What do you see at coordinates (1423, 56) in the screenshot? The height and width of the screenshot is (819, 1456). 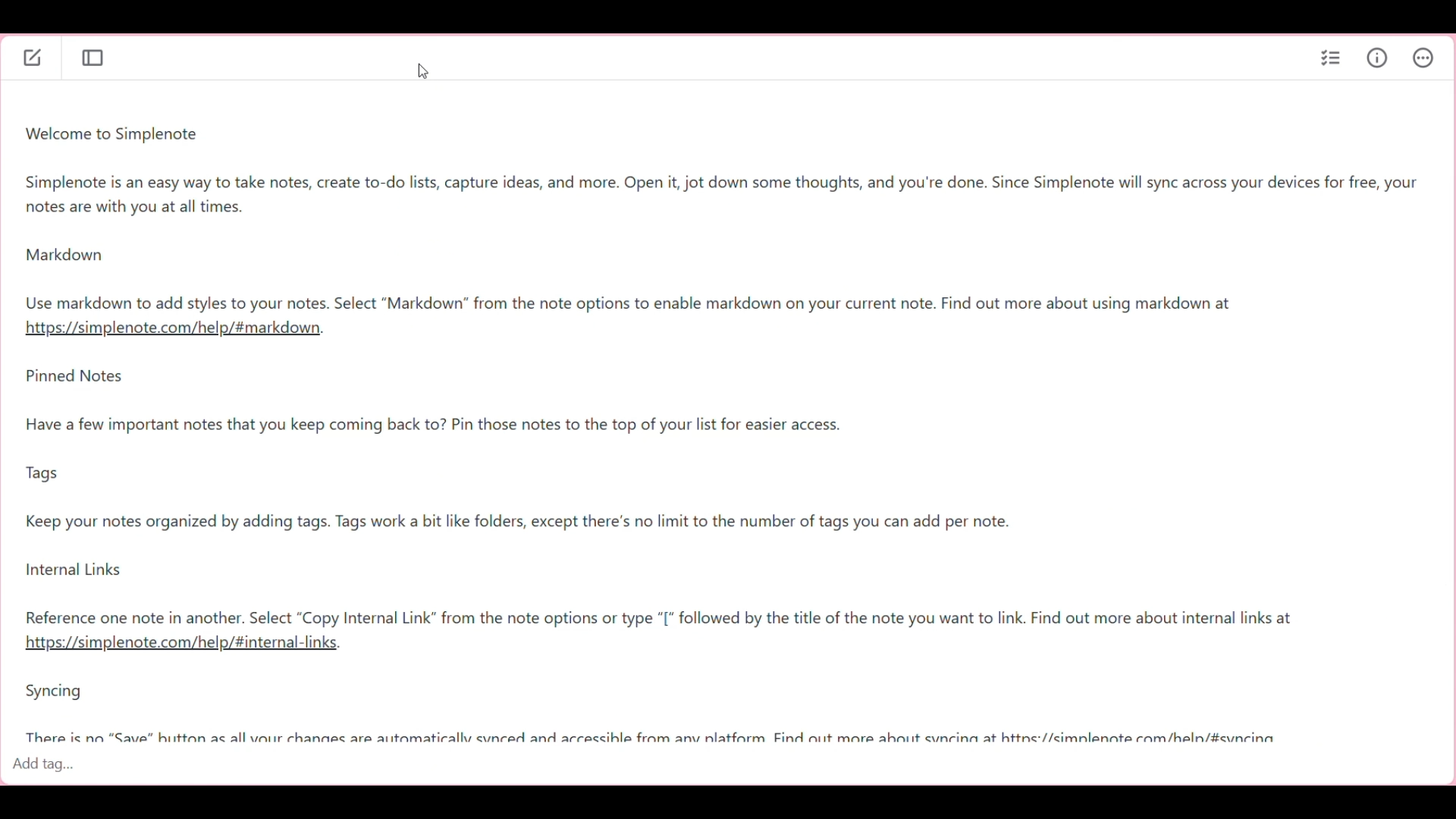 I see `Actions` at bounding box center [1423, 56].